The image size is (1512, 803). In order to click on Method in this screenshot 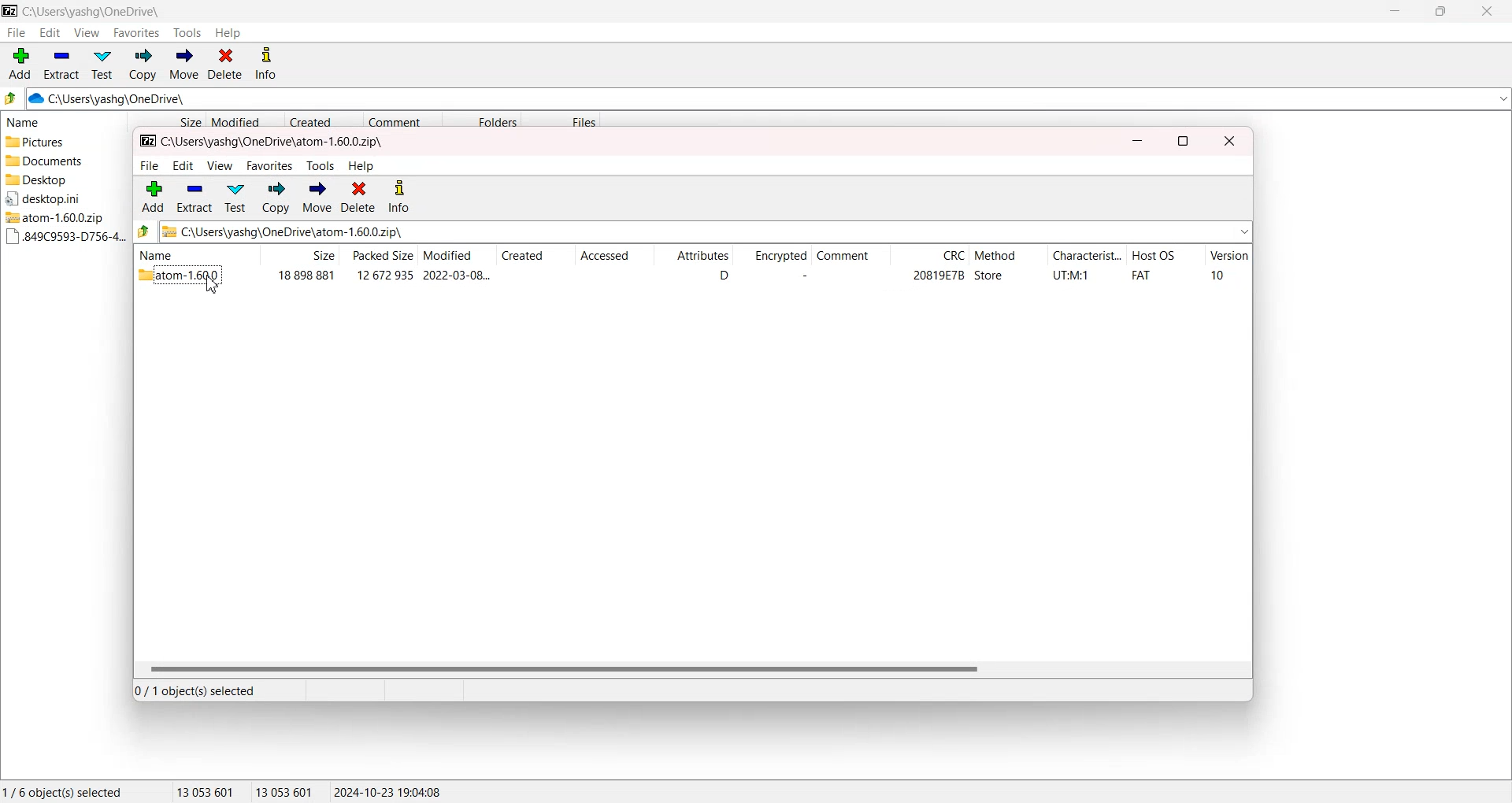, I will do `click(1007, 257)`.